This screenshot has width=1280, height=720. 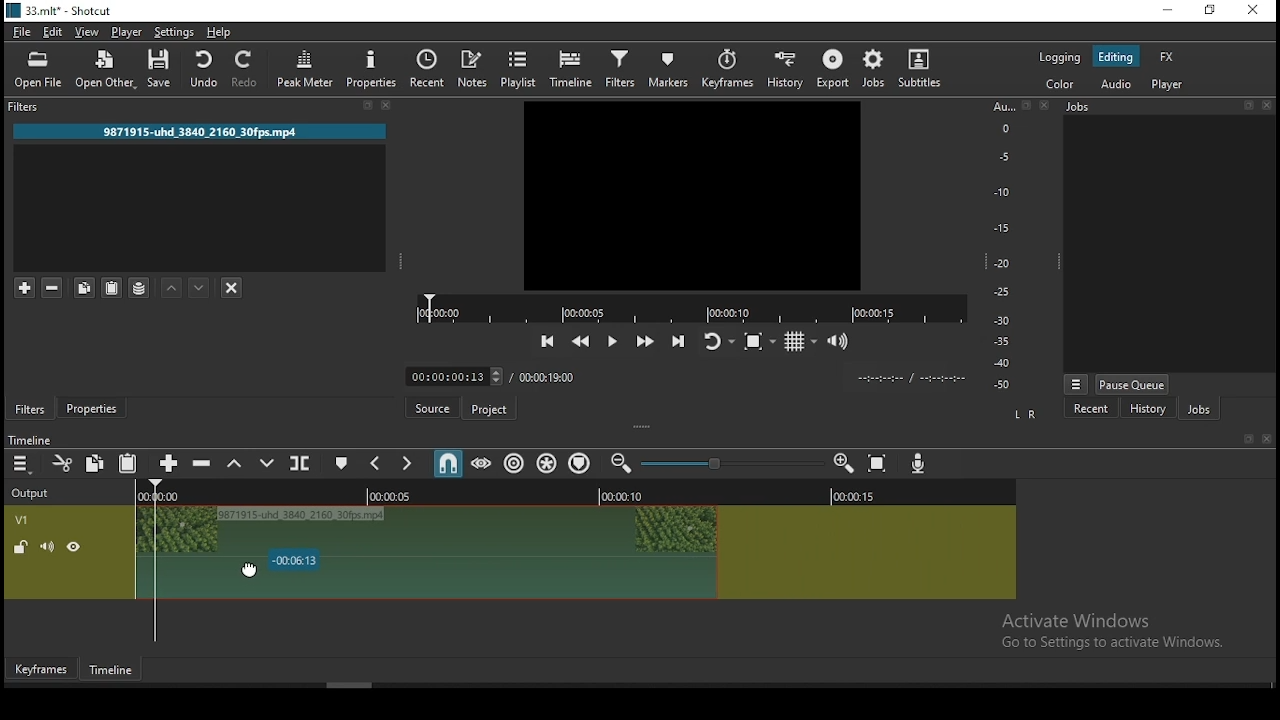 I want to click on timeline, so click(x=32, y=439).